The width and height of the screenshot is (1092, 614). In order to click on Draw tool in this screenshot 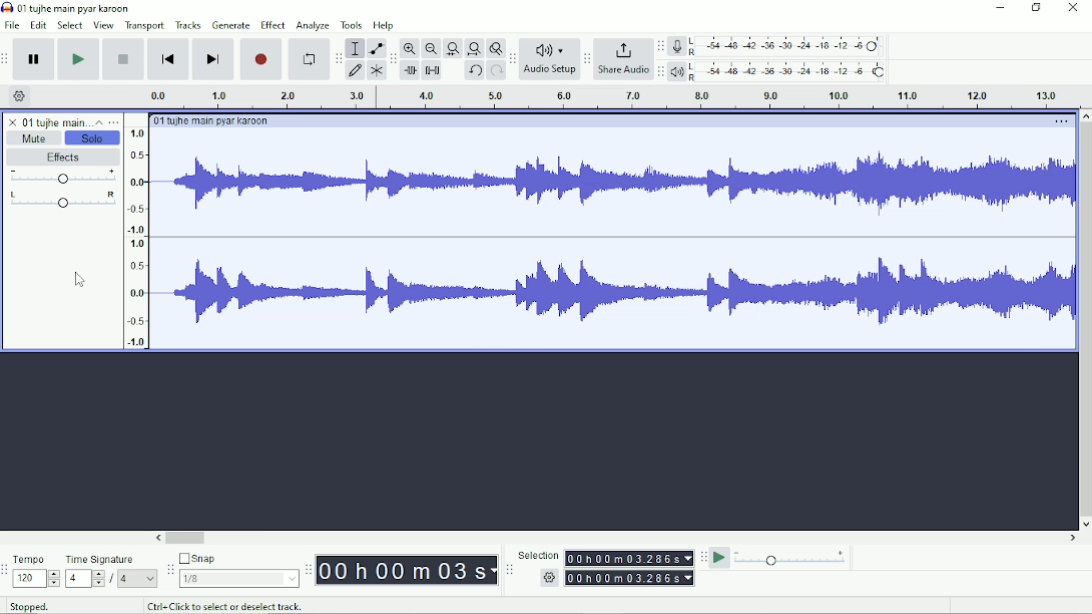, I will do `click(355, 69)`.